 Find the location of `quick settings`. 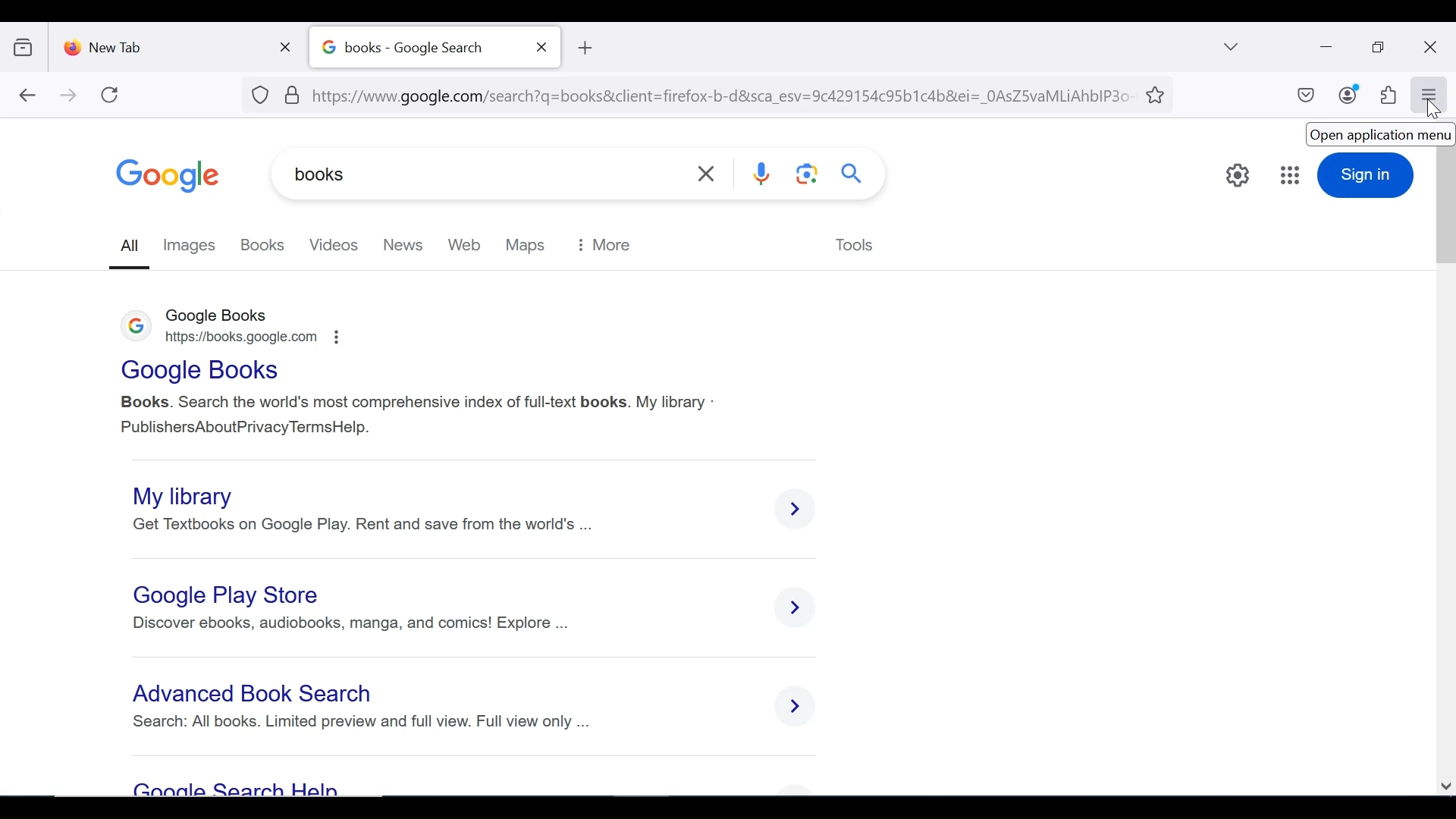

quick settings is located at coordinates (1237, 176).